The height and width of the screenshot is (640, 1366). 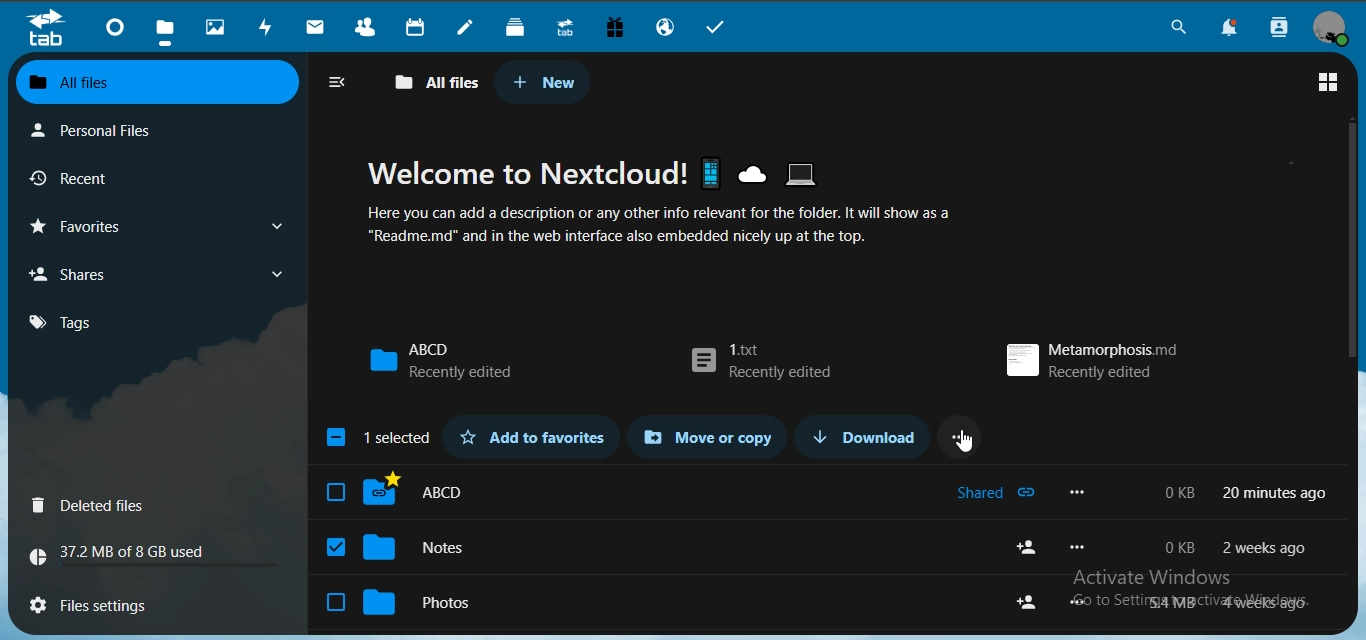 I want to click on search, so click(x=1176, y=27).